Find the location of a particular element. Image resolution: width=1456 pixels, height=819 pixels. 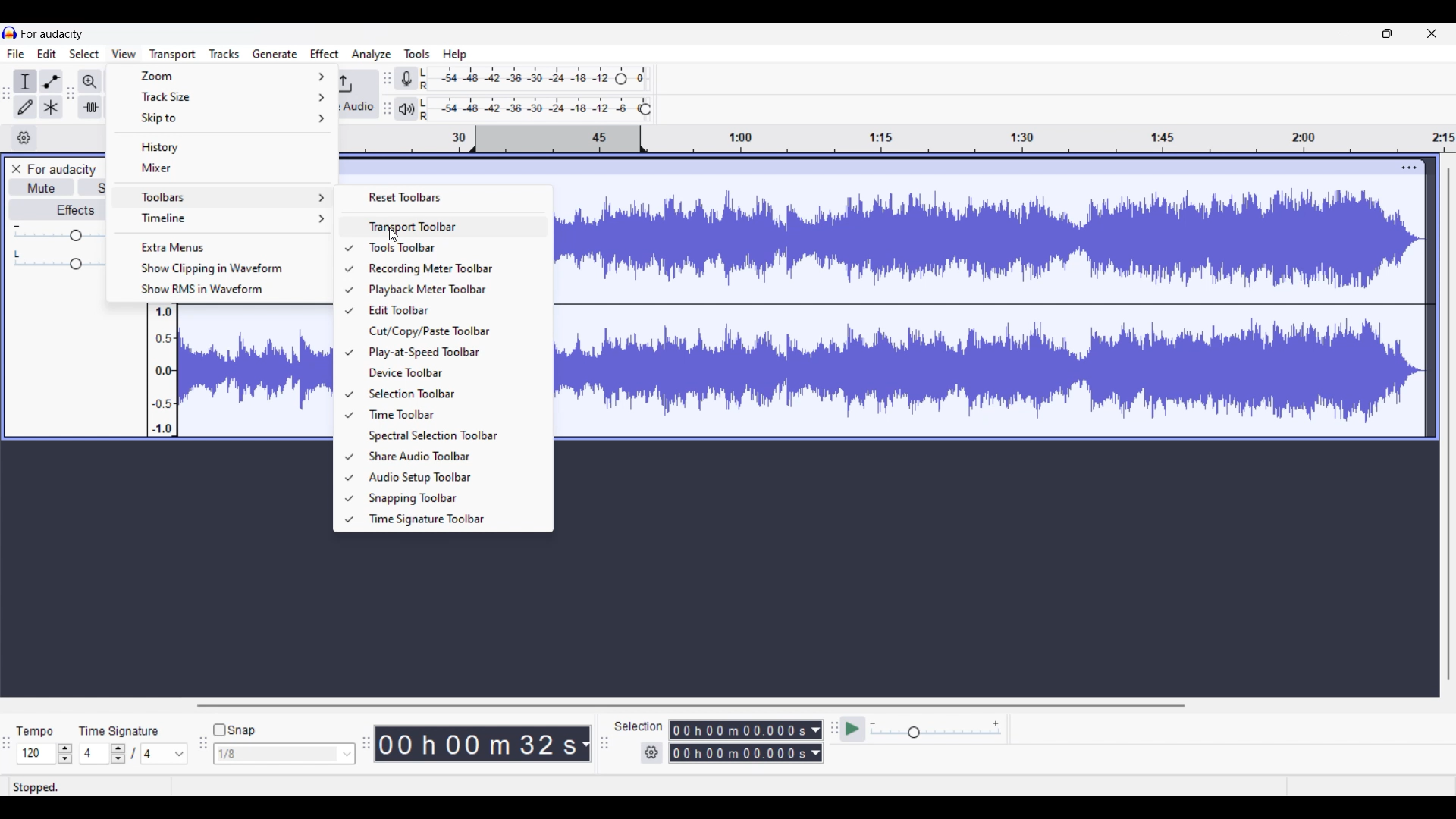

Pan scale is located at coordinates (58, 259).